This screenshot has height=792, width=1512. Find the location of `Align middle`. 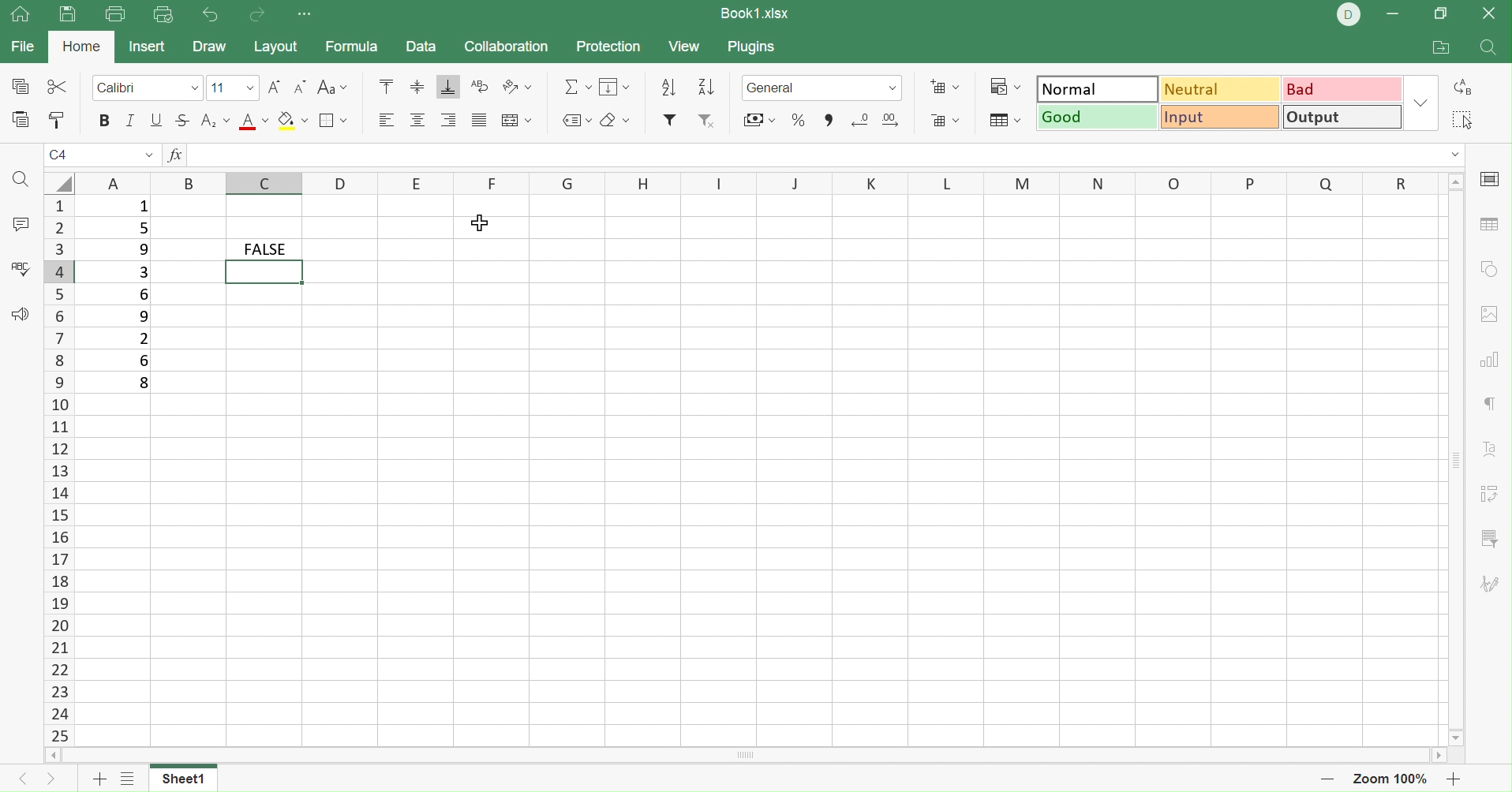

Align middle is located at coordinates (417, 86).